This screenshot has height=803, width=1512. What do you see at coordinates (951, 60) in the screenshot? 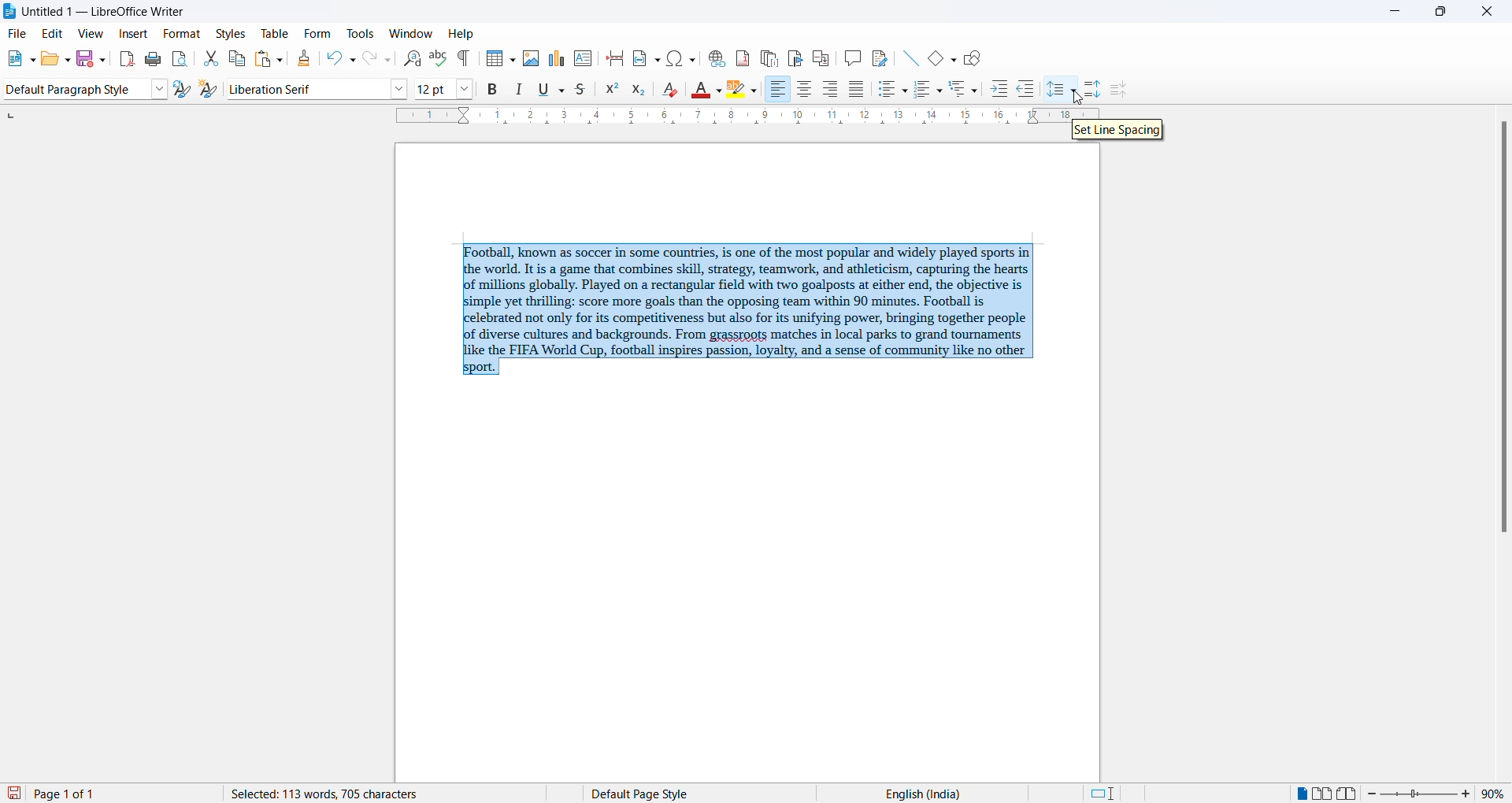
I see `basic shapes options` at bounding box center [951, 60].